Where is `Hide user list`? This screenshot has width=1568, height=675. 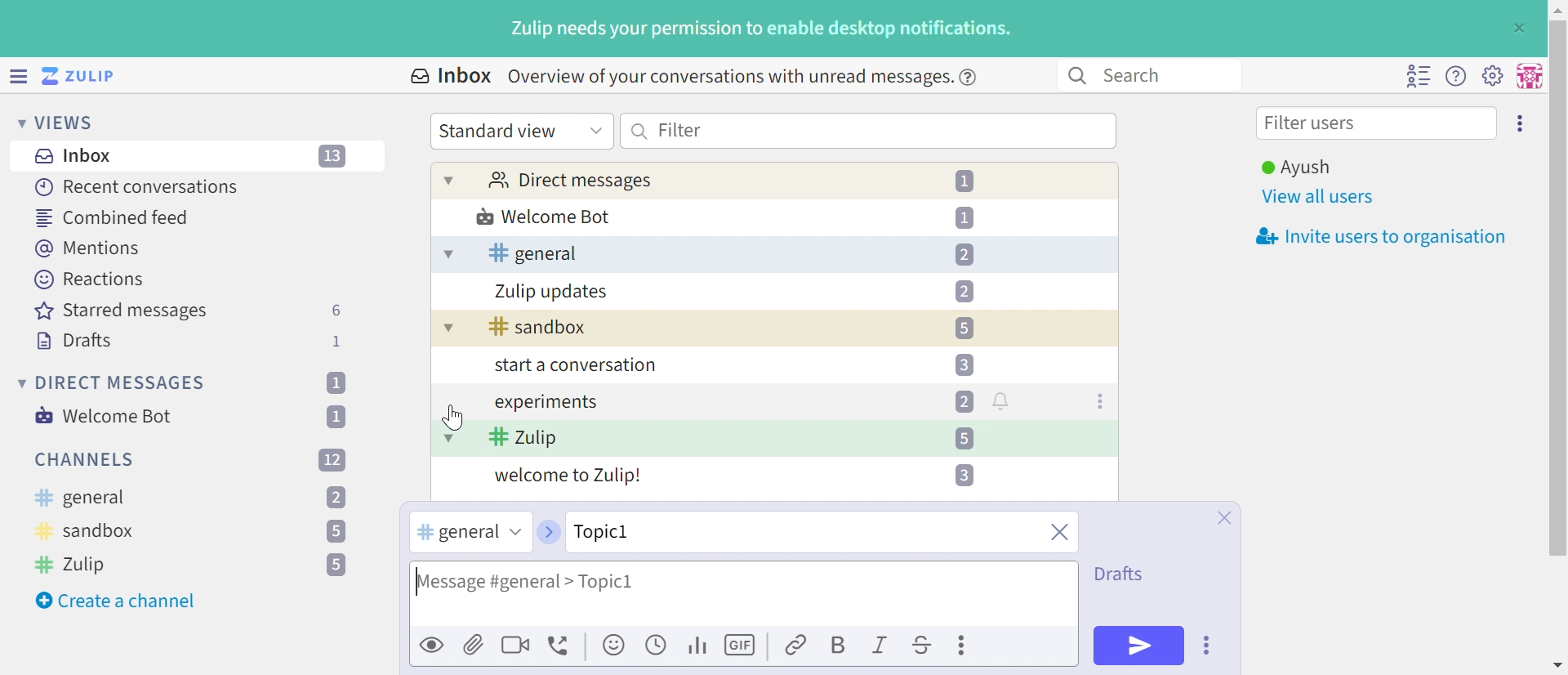 Hide user list is located at coordinates (1418, 76).